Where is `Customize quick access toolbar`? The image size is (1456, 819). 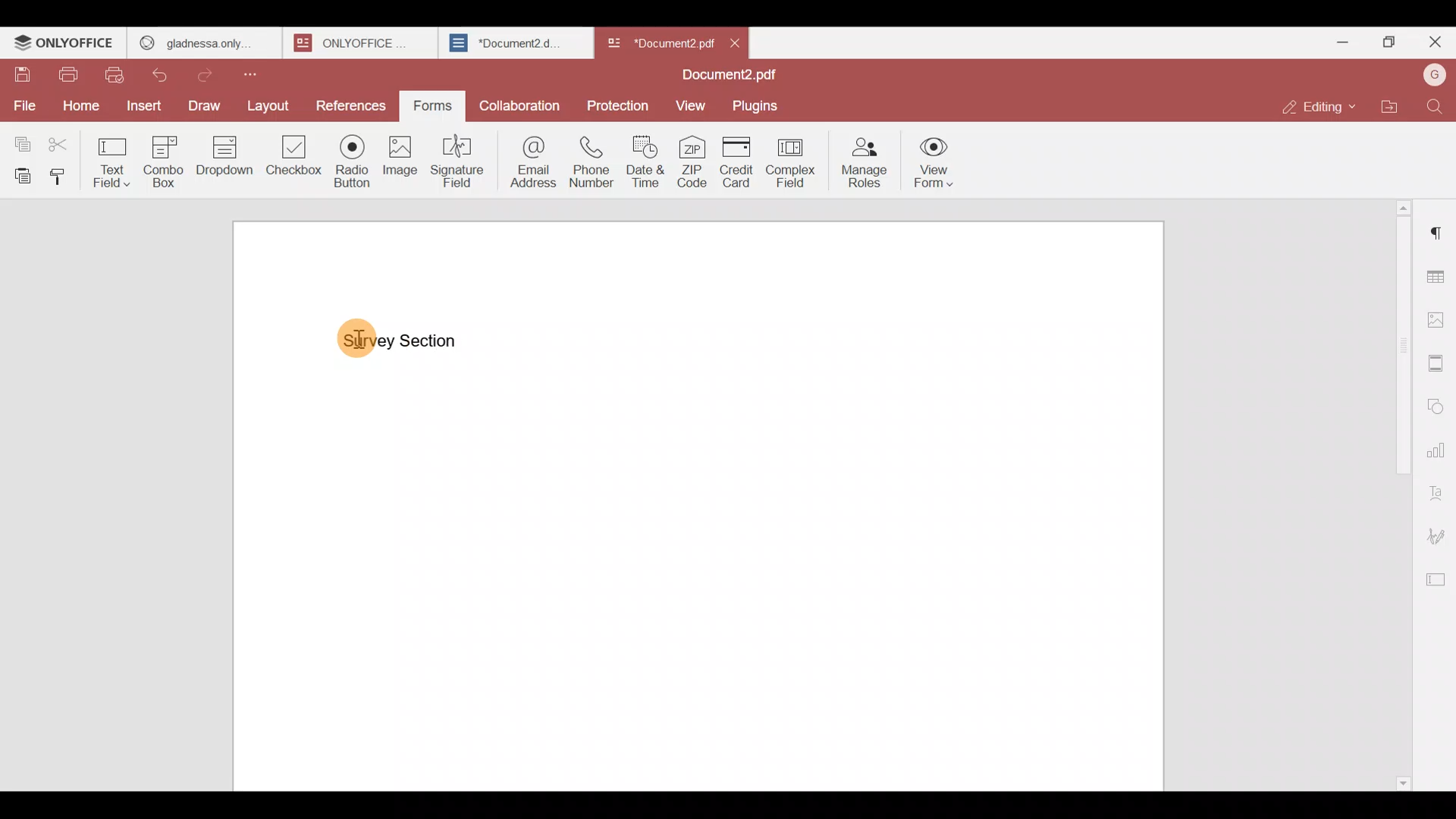
Customize quick access toolbar is located at coordinates (265, 73).